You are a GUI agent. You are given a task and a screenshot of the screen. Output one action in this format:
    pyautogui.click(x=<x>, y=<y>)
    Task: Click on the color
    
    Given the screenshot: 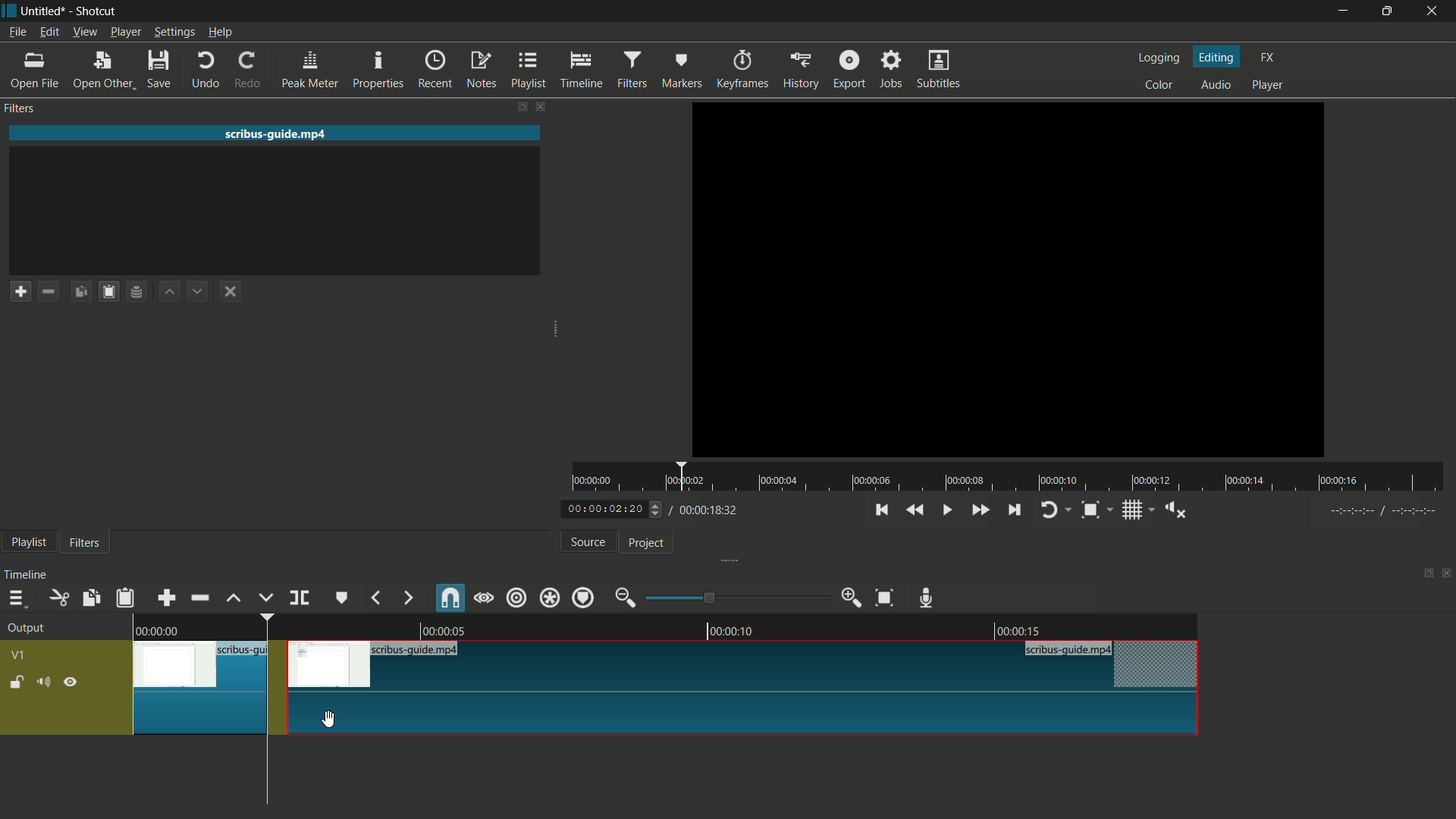 What is the action you would take?
    pyautogui.click(x=1159, y=83)
    